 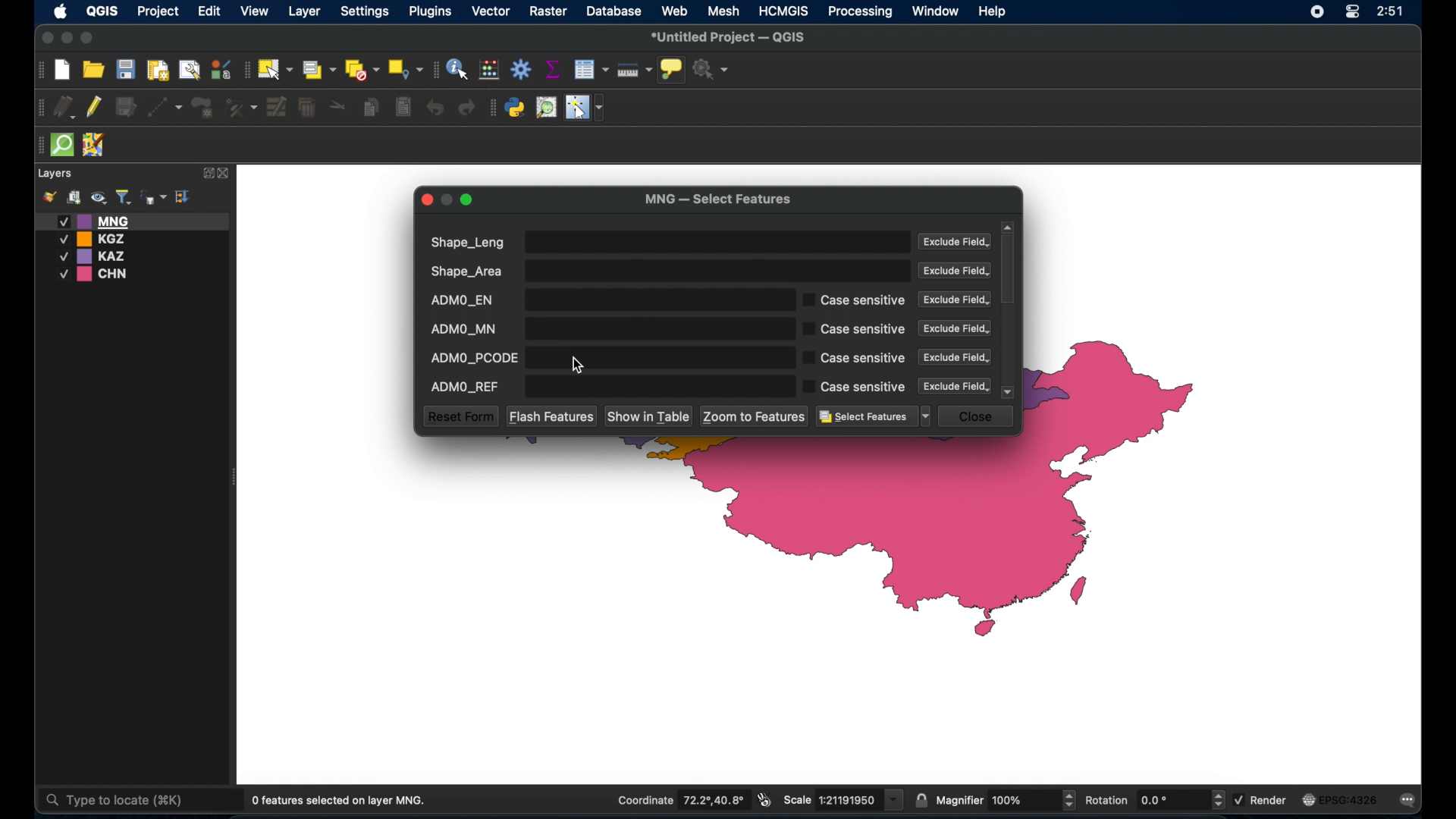 What do you see at coordinates (309, 108) in the screenshot?
I see `delete selected ` at bounding box center [309, 108].